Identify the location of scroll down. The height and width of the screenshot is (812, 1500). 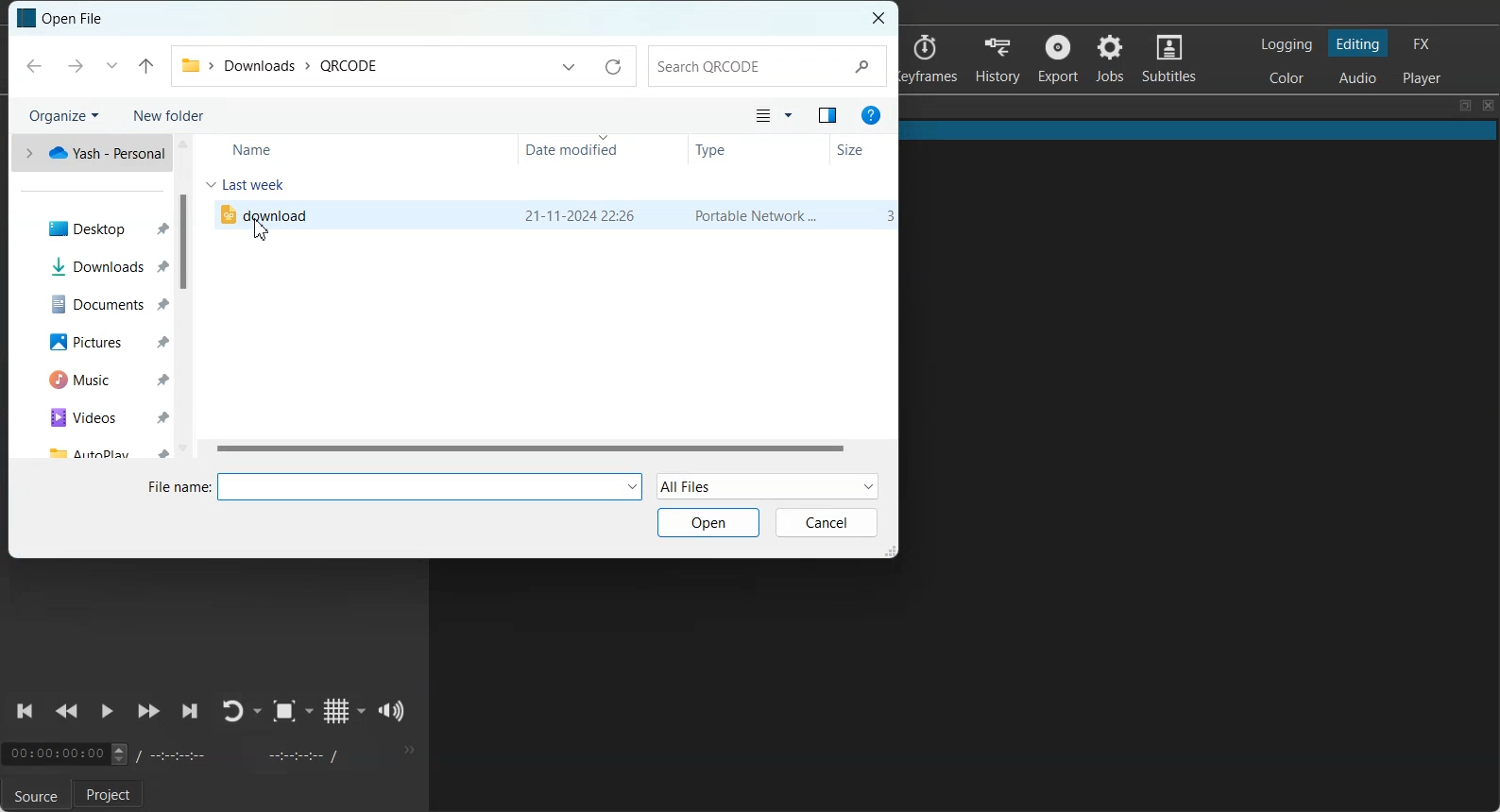
(185, 448).